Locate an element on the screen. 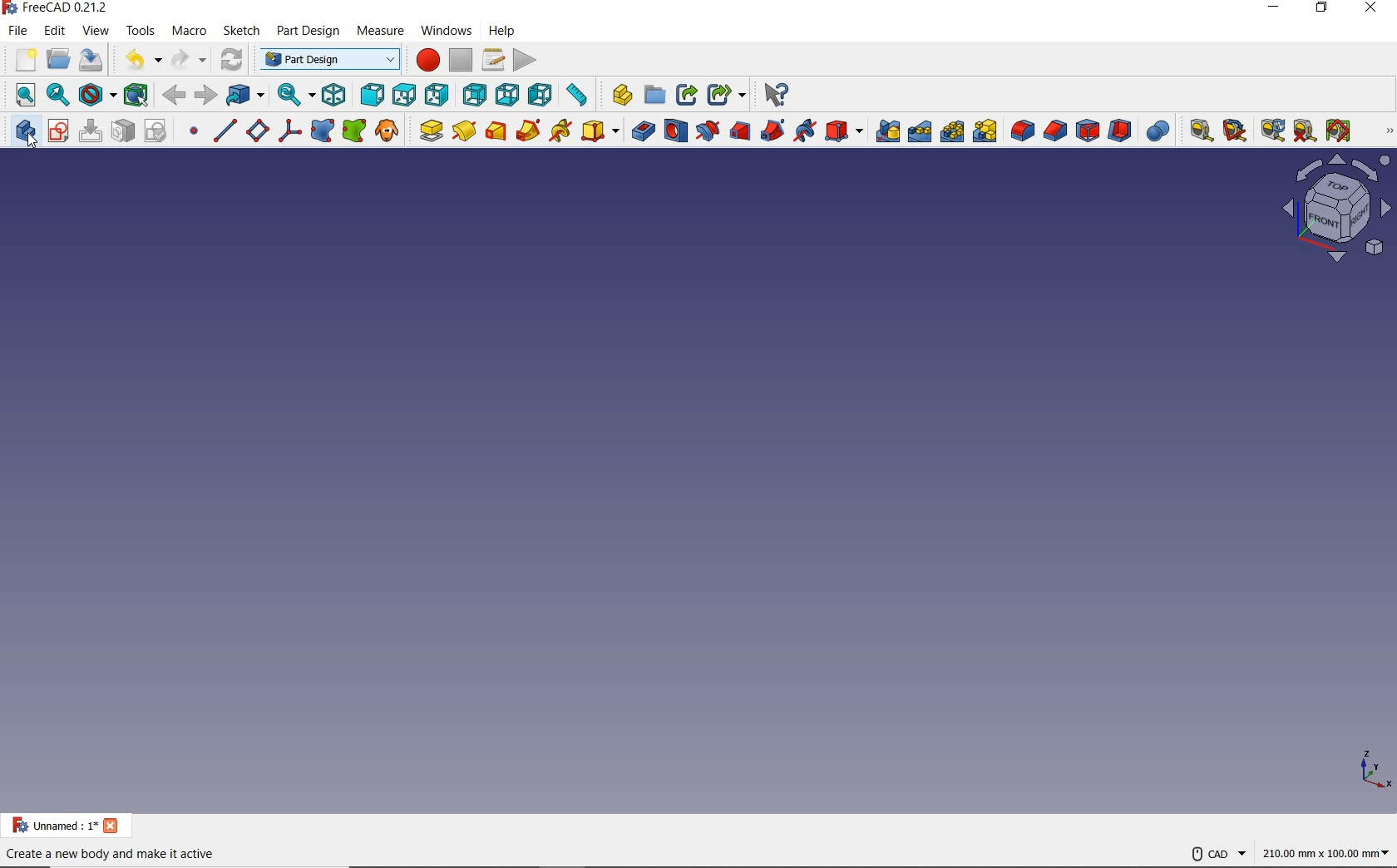 The height and width of the screenshot is (868, 1397). sync view is located at coordinates (297, 94).